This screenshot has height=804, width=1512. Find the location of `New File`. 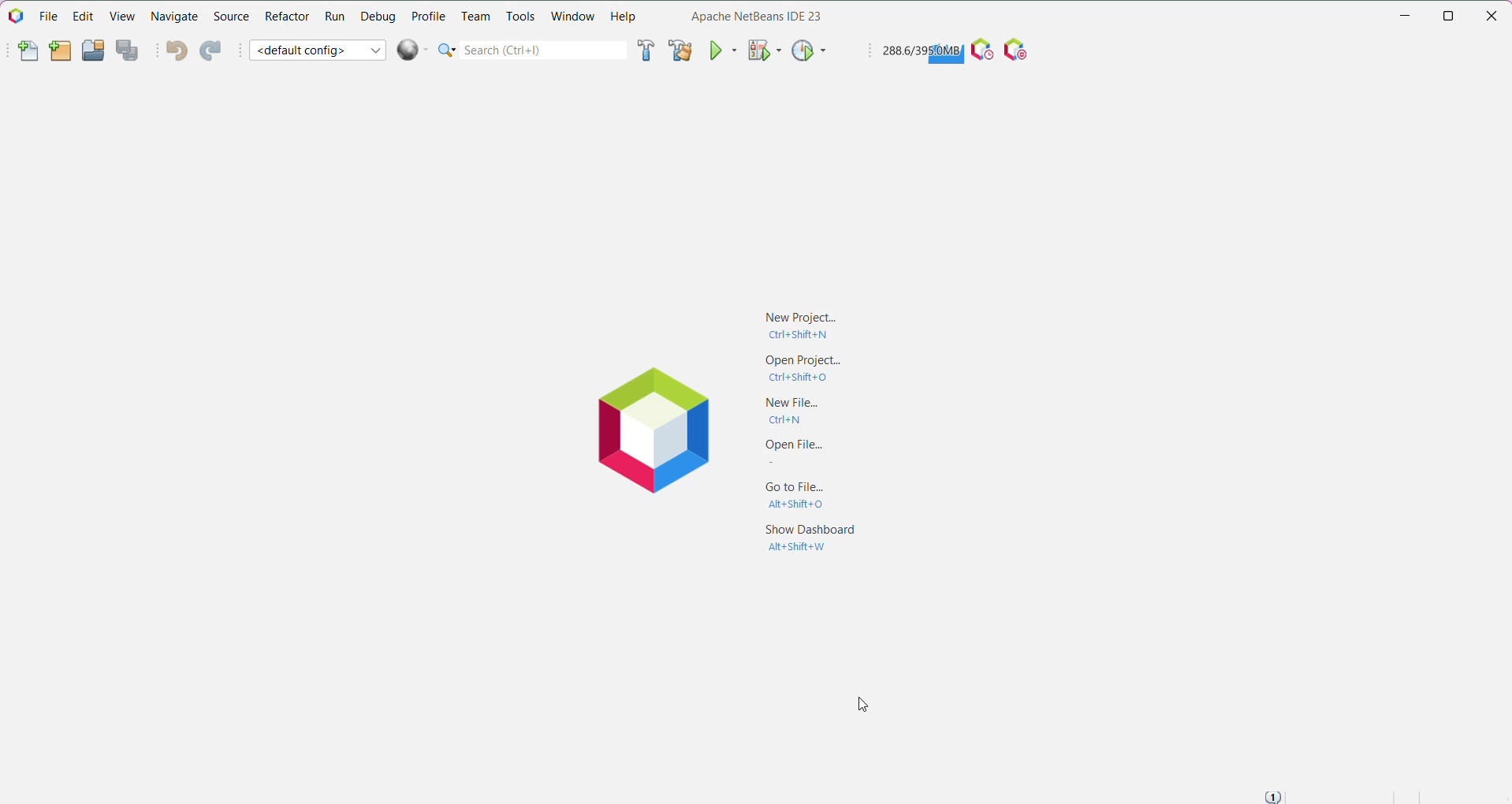

New File is located at coordinates (795, 409).